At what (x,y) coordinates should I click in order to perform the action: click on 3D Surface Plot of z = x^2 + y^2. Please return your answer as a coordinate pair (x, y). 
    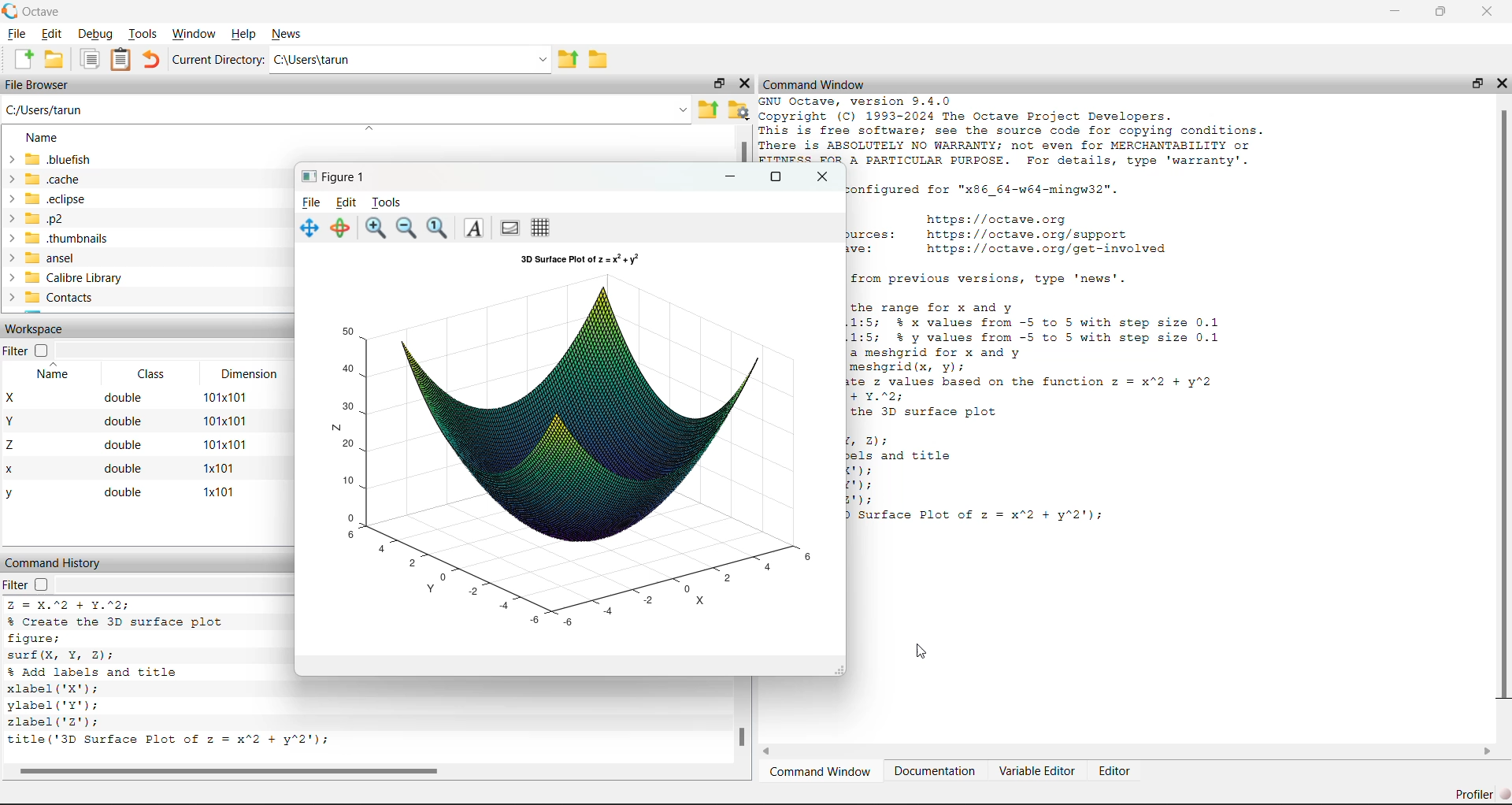
    Looking at the image, I should click on (585, 259).